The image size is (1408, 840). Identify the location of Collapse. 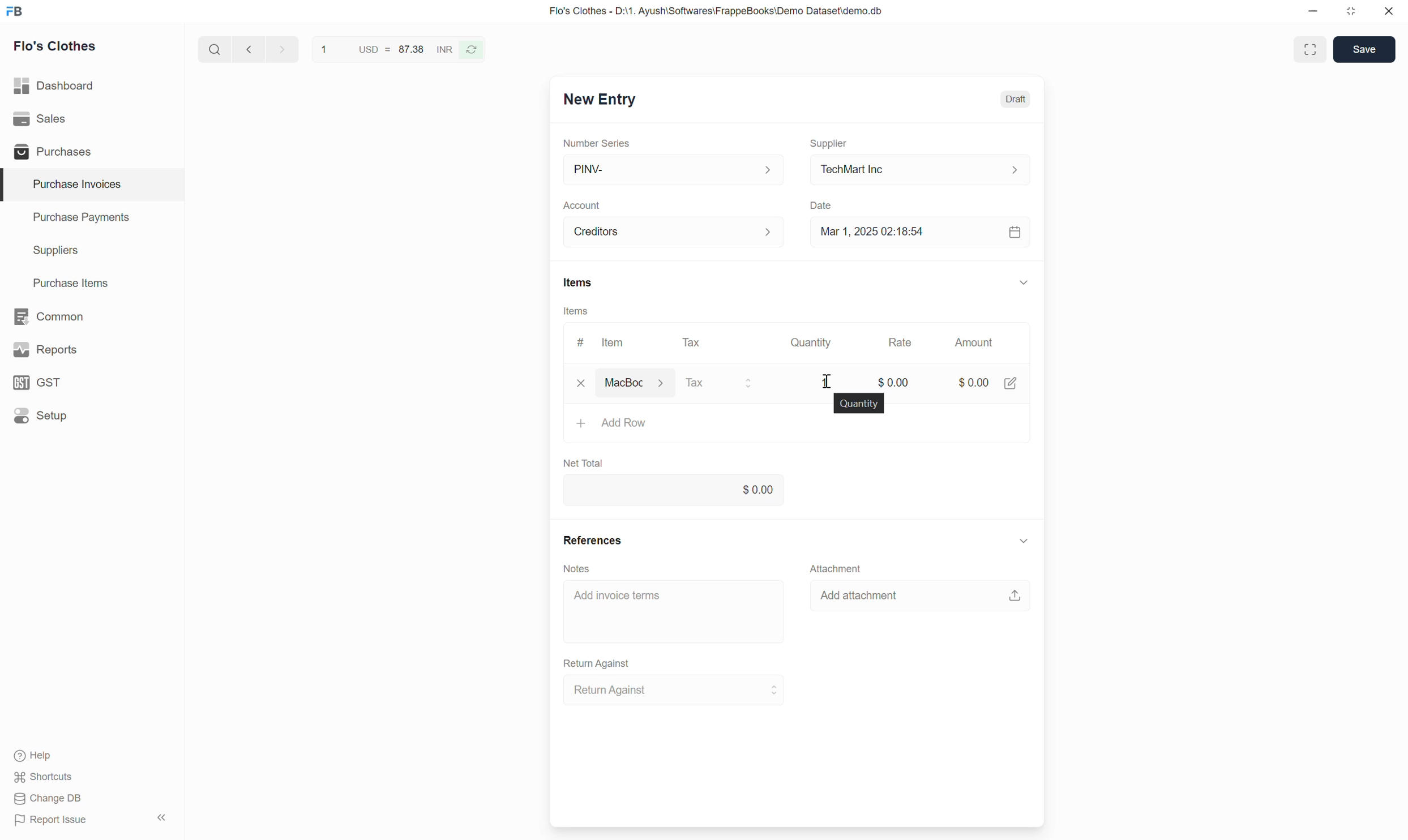
(1024, 282).